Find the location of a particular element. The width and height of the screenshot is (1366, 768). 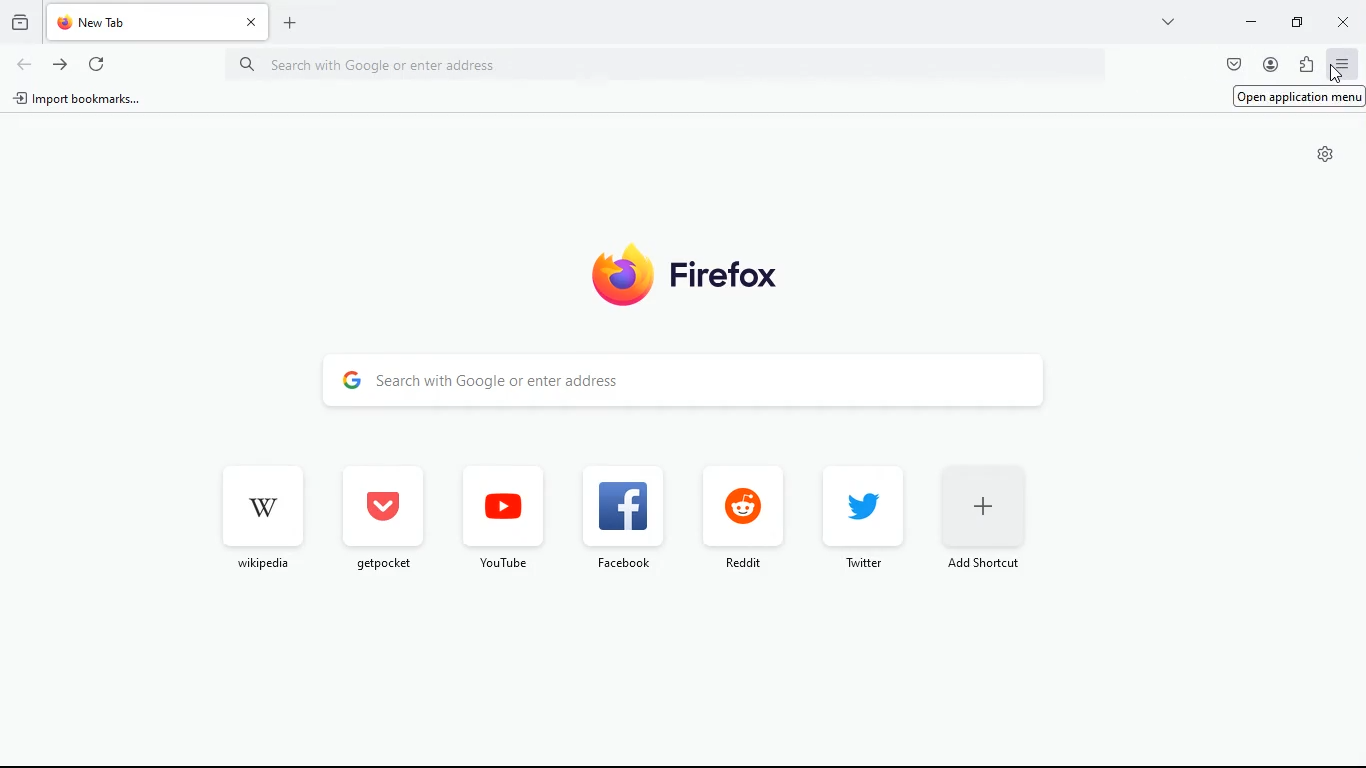

settings is located at coordinates (1325, 152).